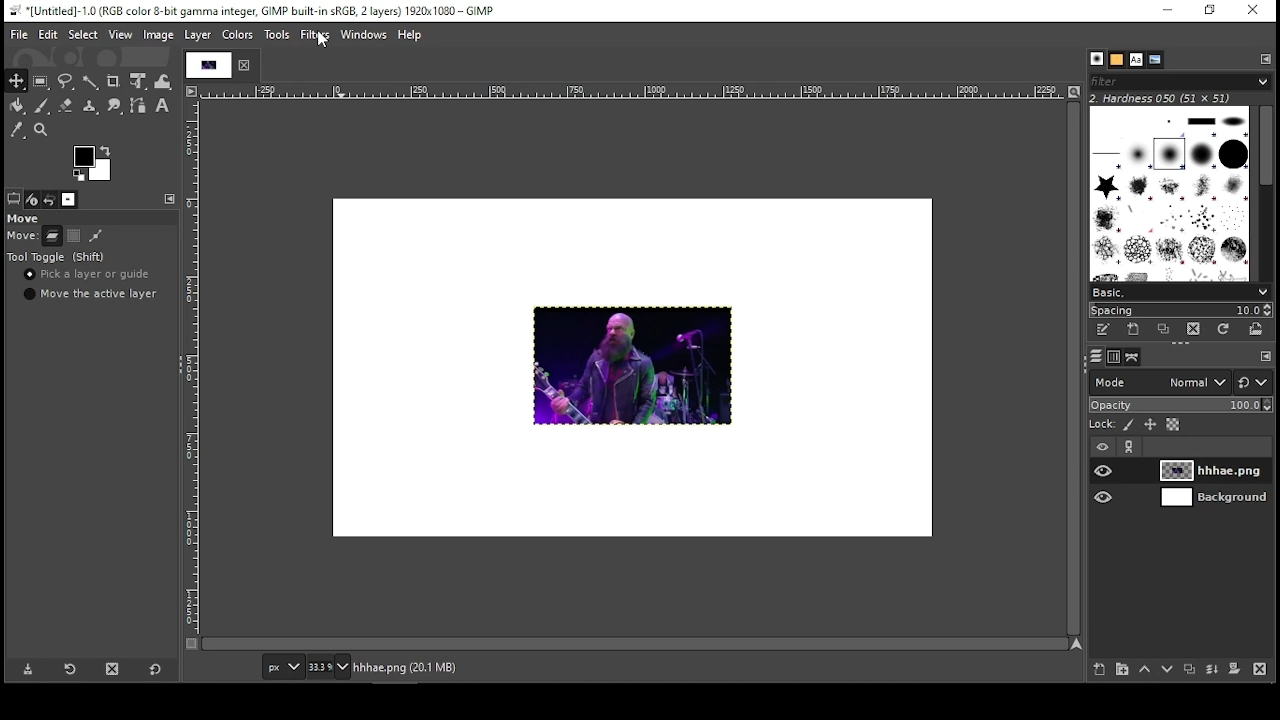 The height and width of the screenshot is (720, 1280). What do you see at coordinates (1124, 669) in the screenshot?
I see `new layer group` at bounding box center [1124, 669].